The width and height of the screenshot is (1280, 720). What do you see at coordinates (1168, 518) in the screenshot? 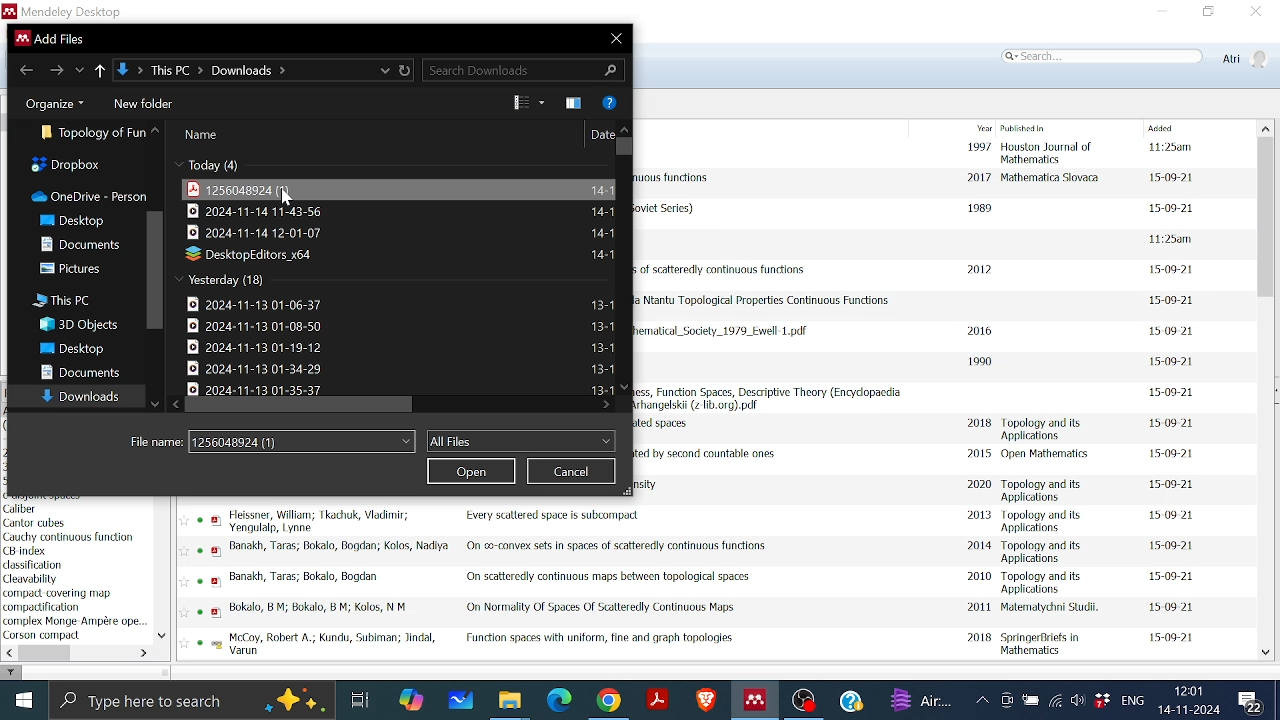
I see `date` at bounding box center [1168, 518].